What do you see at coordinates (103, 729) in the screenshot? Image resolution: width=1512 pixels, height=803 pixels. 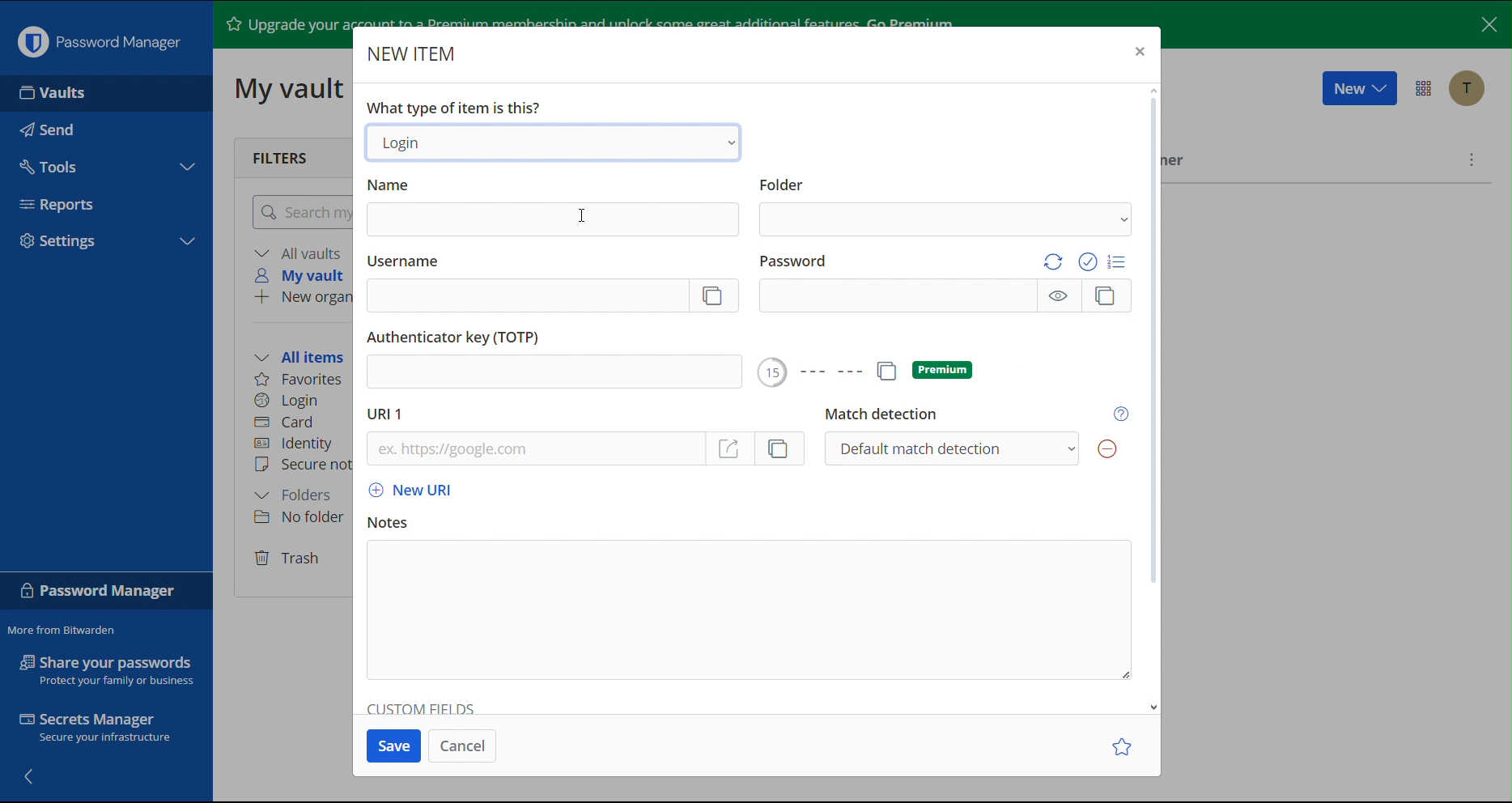 I see `Secrets Manager` at bounding box center [103, 729].